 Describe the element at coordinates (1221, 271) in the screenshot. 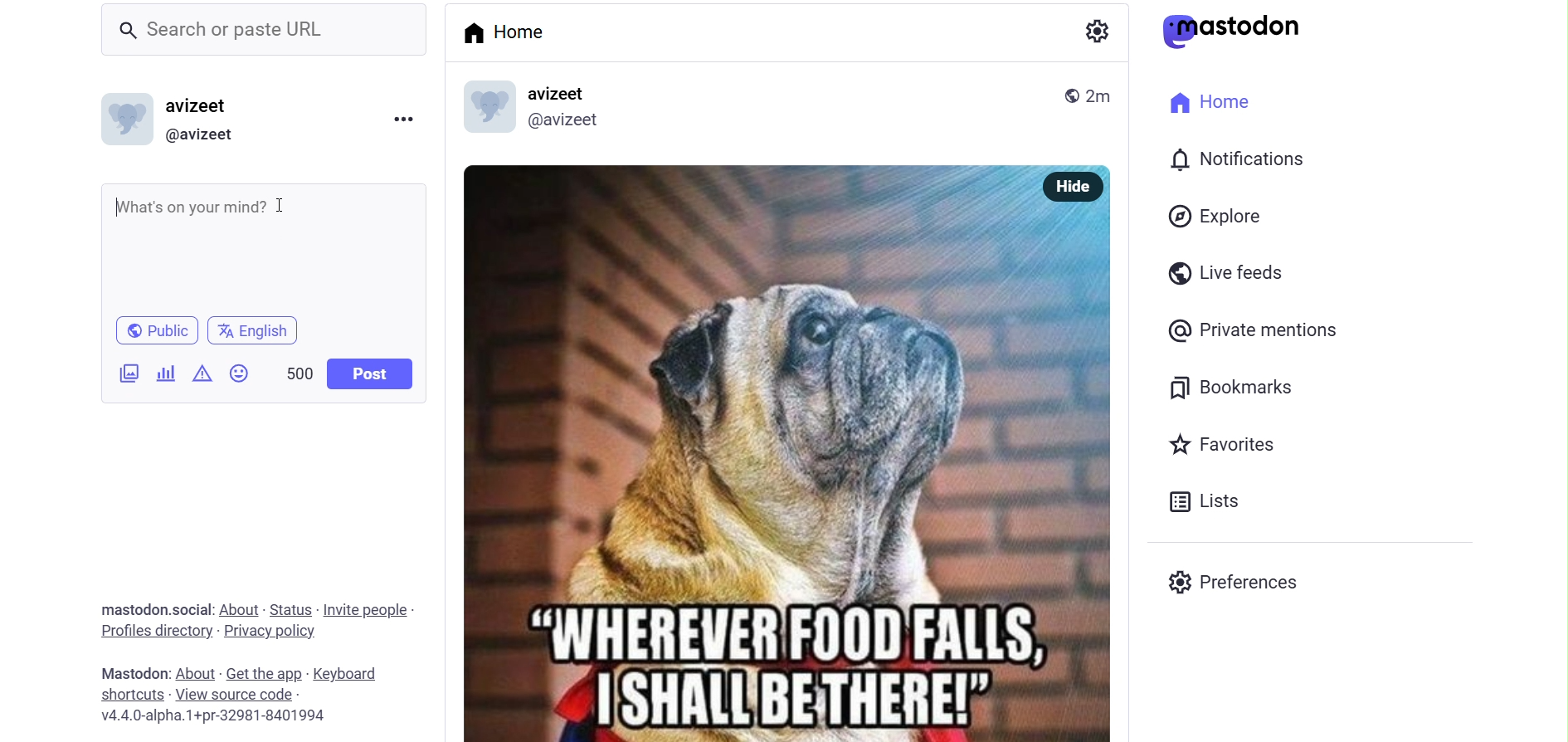

I see `live feed` at that location.